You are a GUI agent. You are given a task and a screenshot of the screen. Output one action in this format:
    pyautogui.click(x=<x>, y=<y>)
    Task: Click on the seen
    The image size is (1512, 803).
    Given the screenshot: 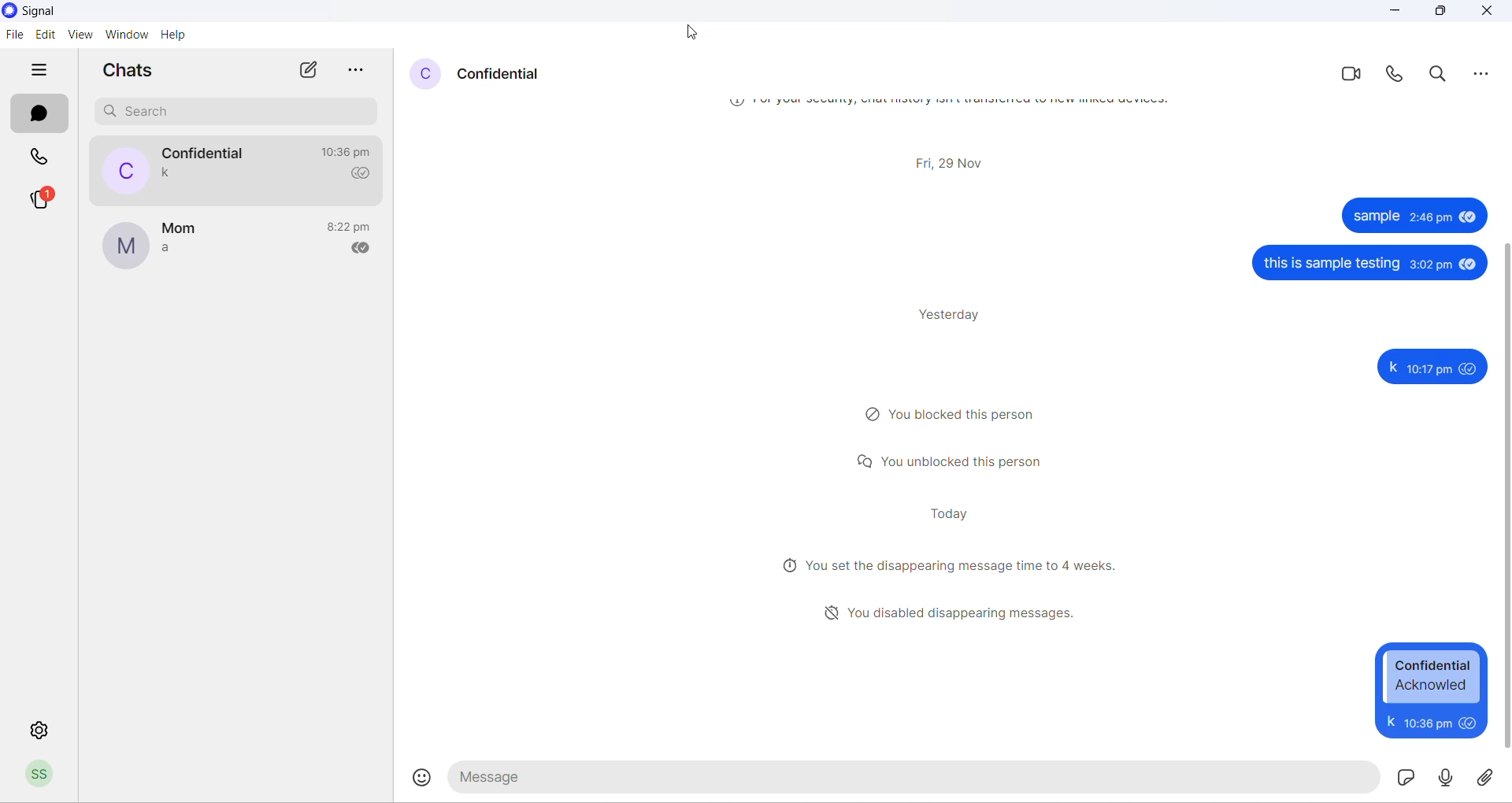 What is the action you would take?
    pyautogui.click(x=1468, y=722)
    